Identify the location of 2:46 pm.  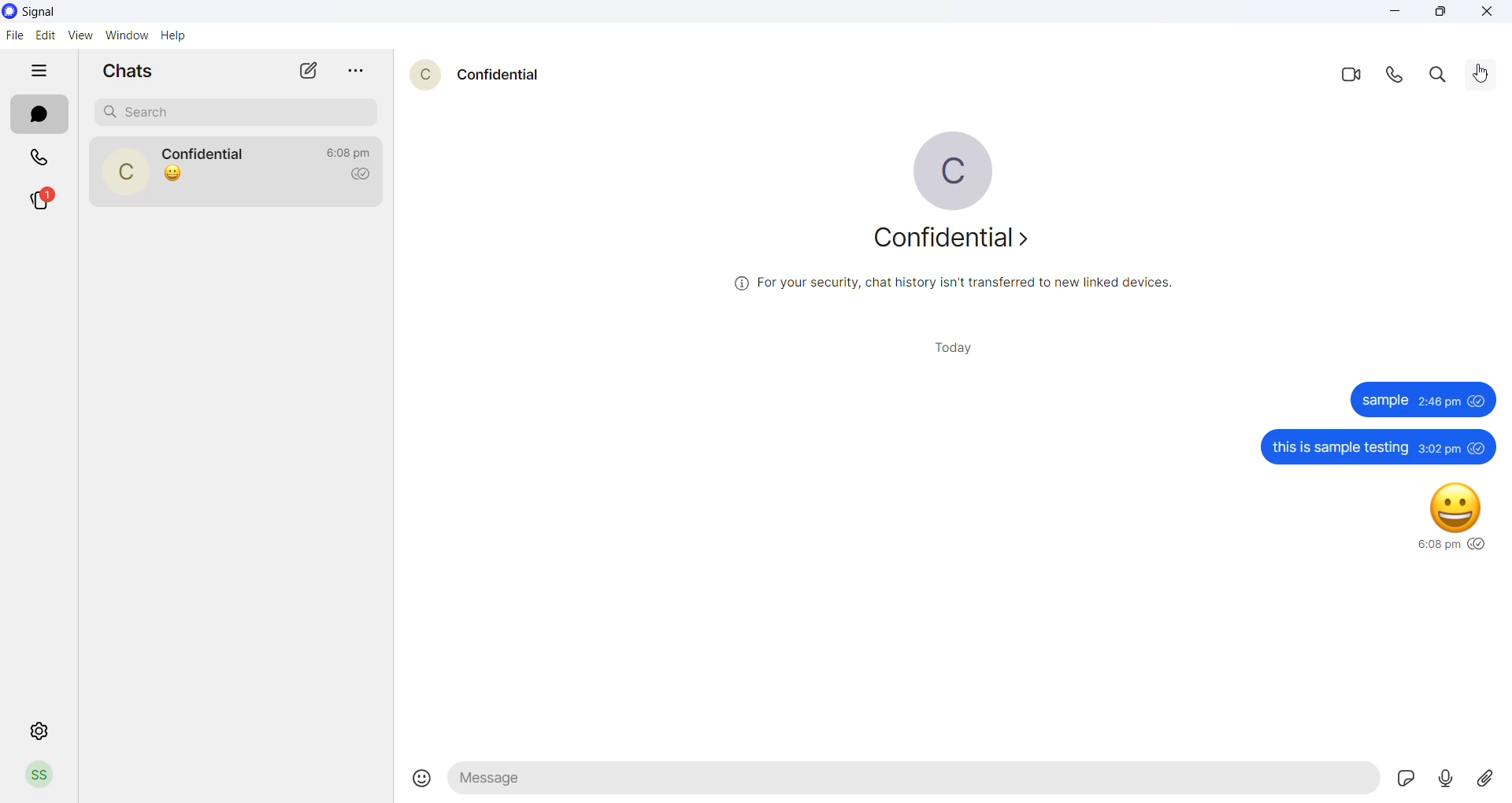
(1439, 401).